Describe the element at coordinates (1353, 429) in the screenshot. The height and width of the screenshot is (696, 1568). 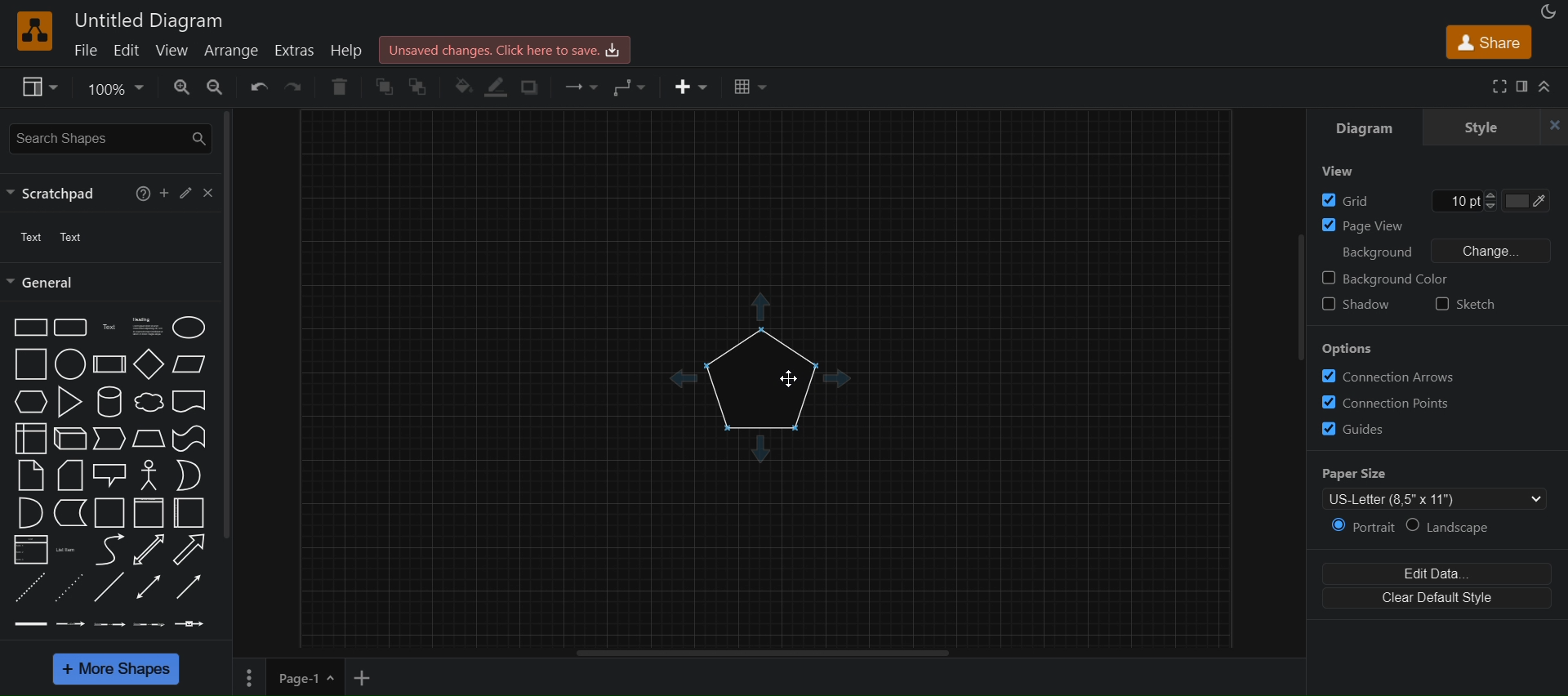
I see `Guides toggle` at that location.